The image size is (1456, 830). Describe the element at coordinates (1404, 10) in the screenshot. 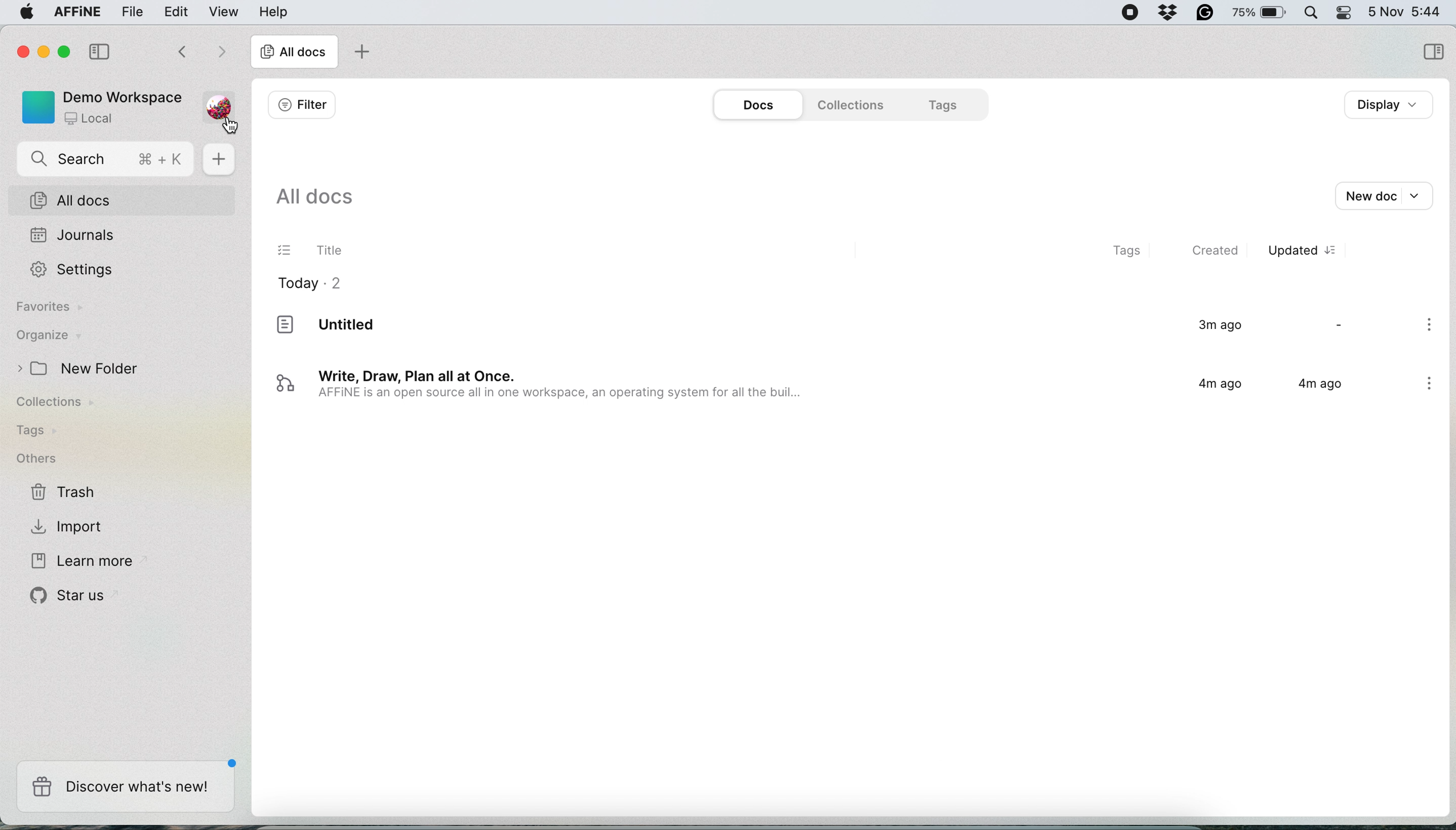

I see `5 Nov 5:44` at that location.